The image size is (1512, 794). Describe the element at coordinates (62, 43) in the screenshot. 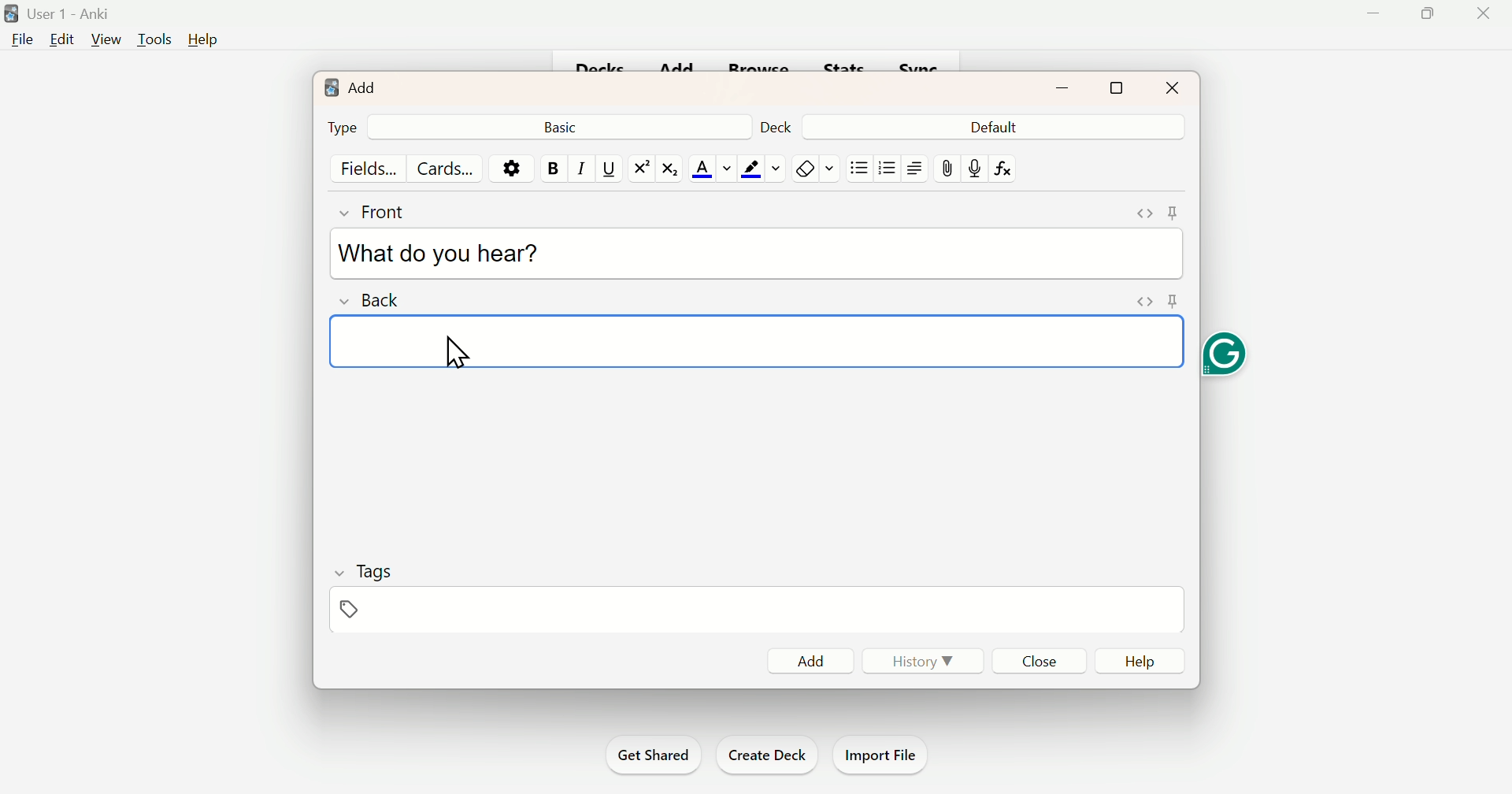

I see `Edit` at that location.